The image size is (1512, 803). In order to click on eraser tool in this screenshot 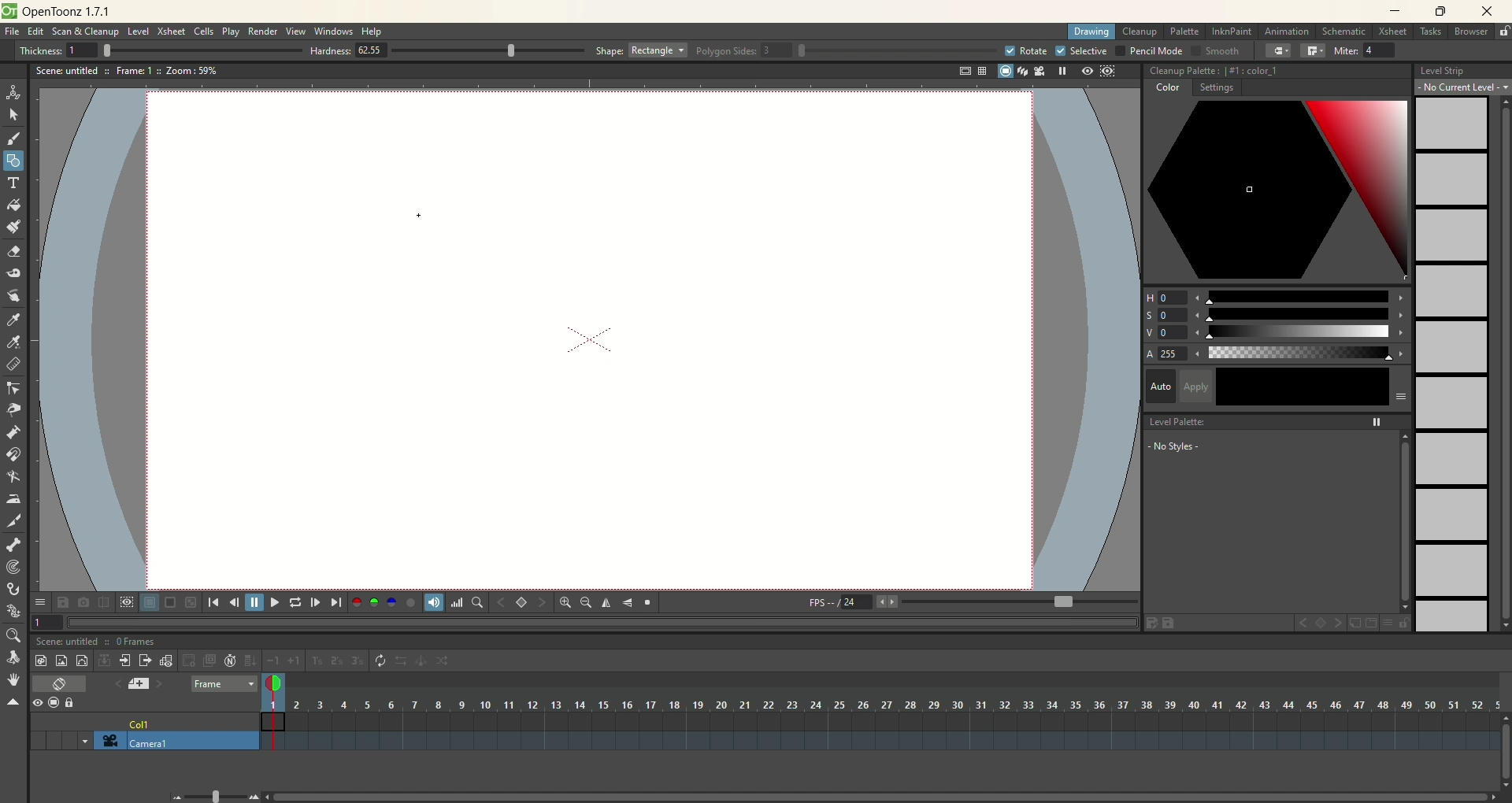, I will do `click(13, 253)`.